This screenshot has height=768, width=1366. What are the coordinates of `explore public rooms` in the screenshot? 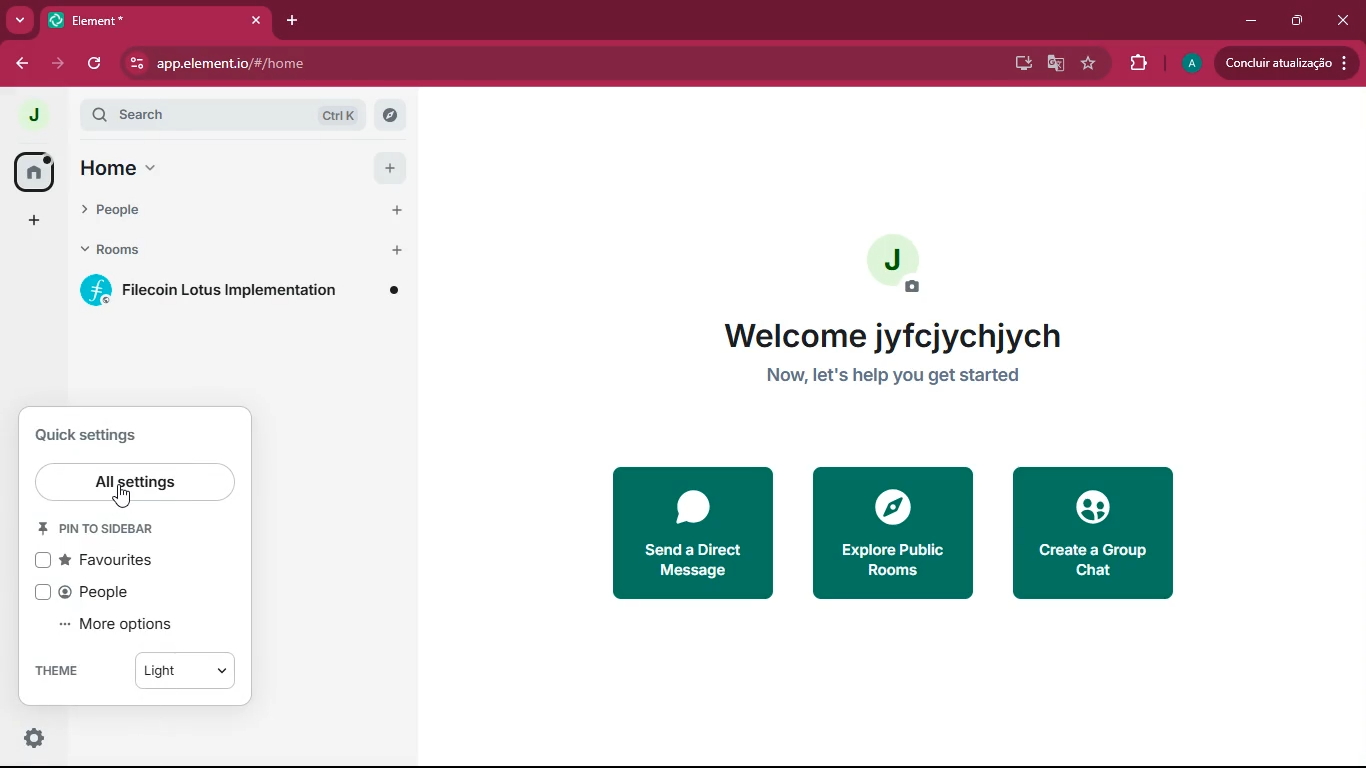 It's located at (895, 535).